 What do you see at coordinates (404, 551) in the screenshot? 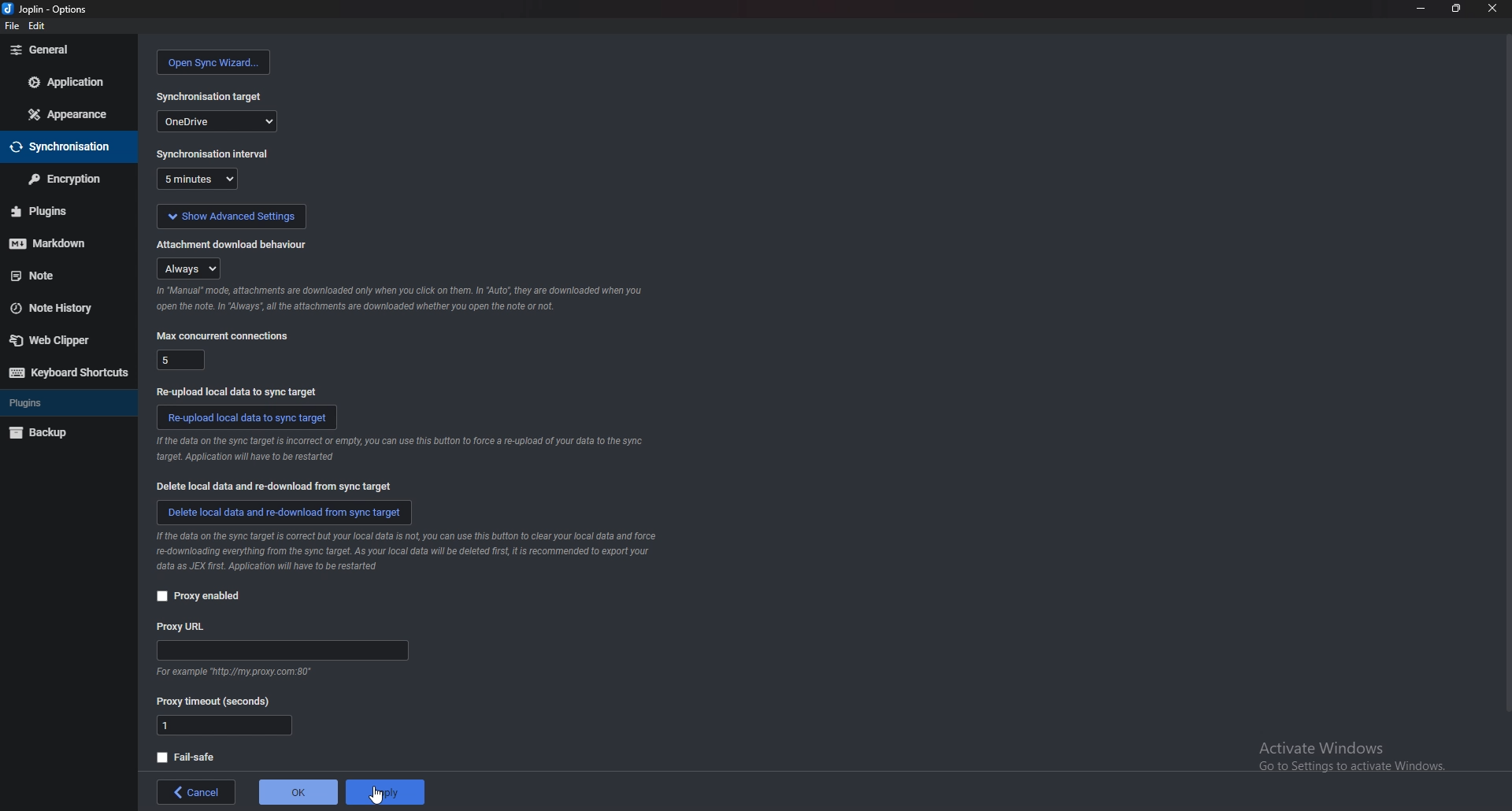
I see `info` at bounding box center [404, 551].